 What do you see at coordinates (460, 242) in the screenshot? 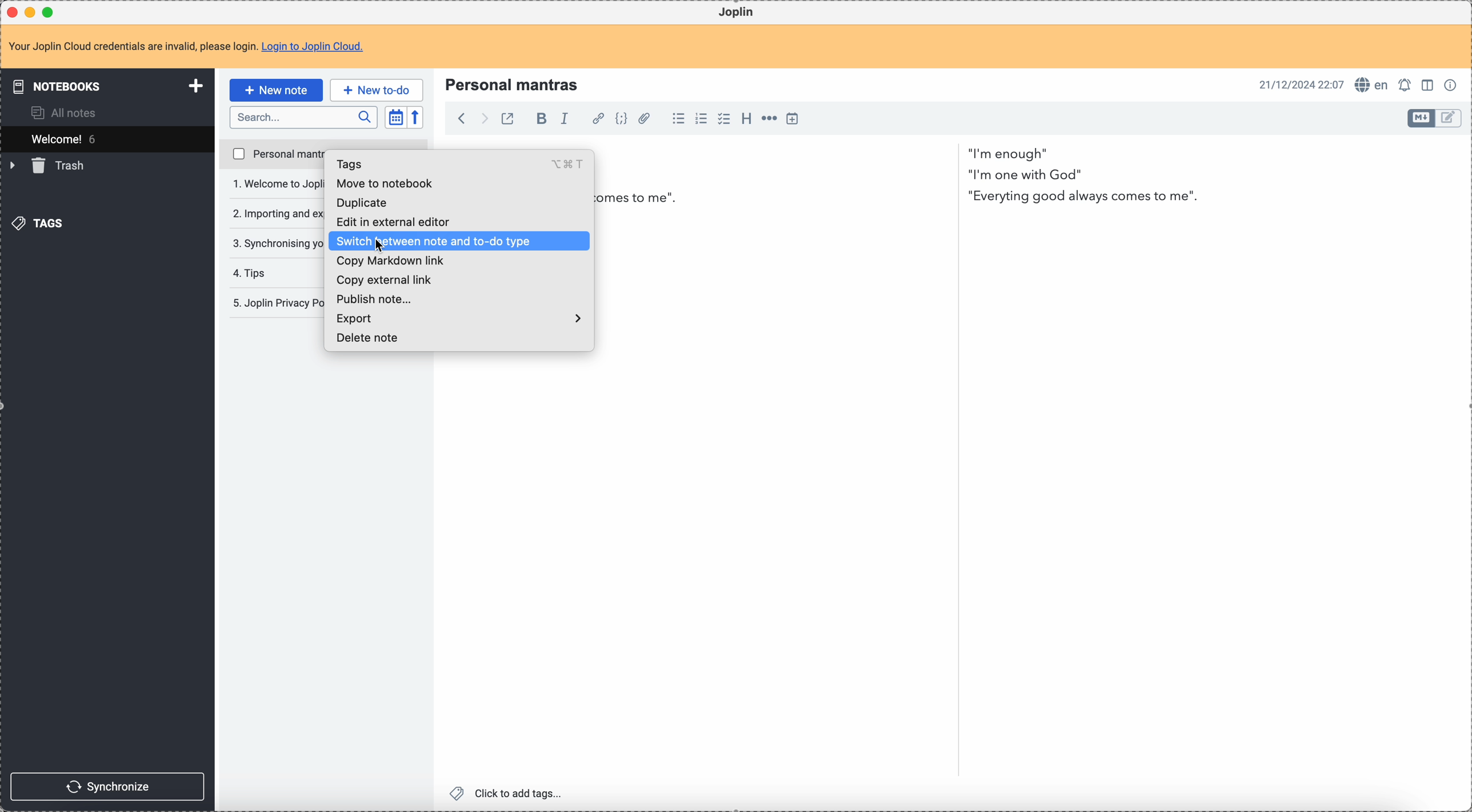
I see `switch between note and to-do type` at bounding box center [460, 242].